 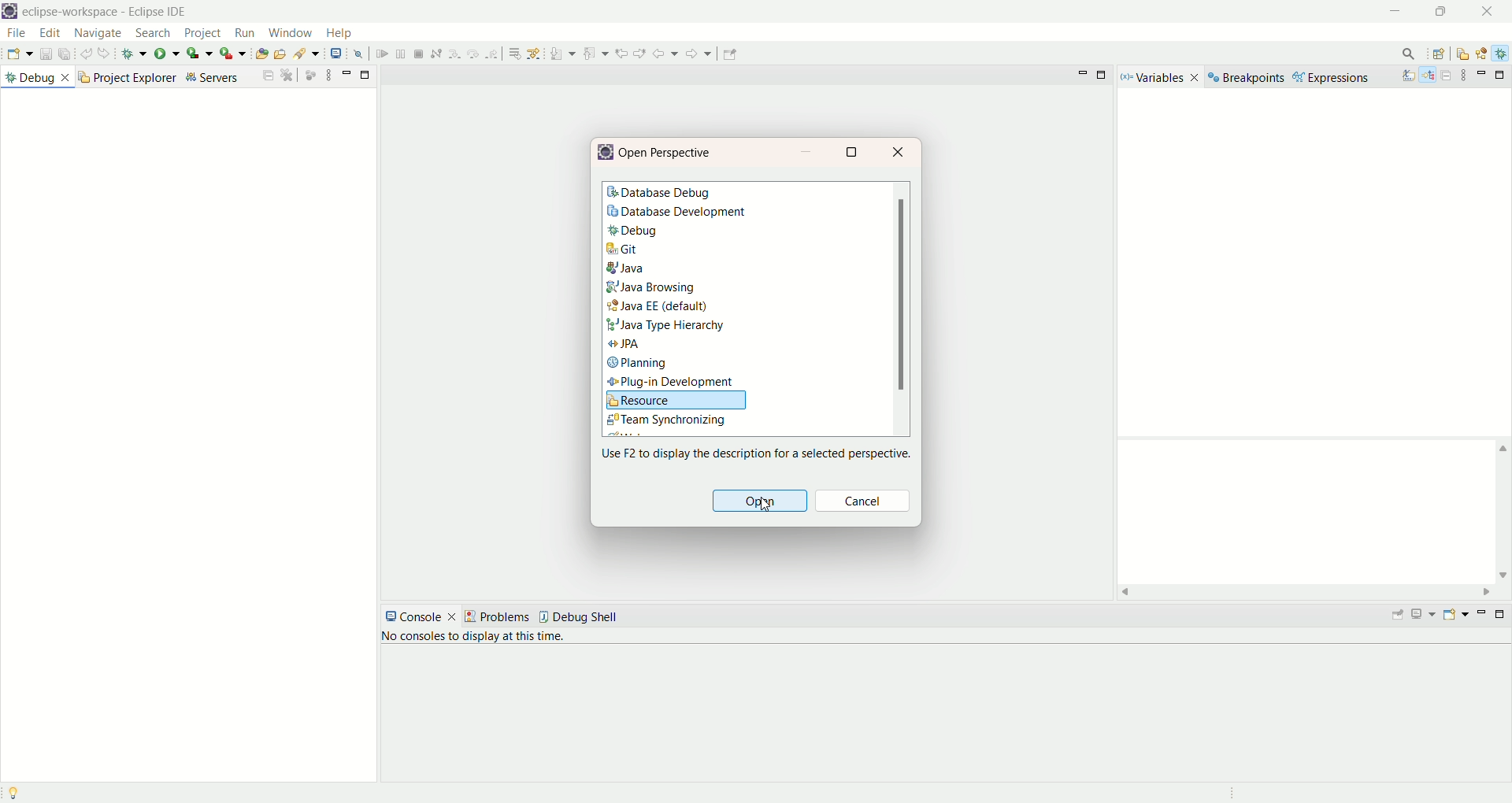 I want to click on plug-in development, so click(x=672, y=382).